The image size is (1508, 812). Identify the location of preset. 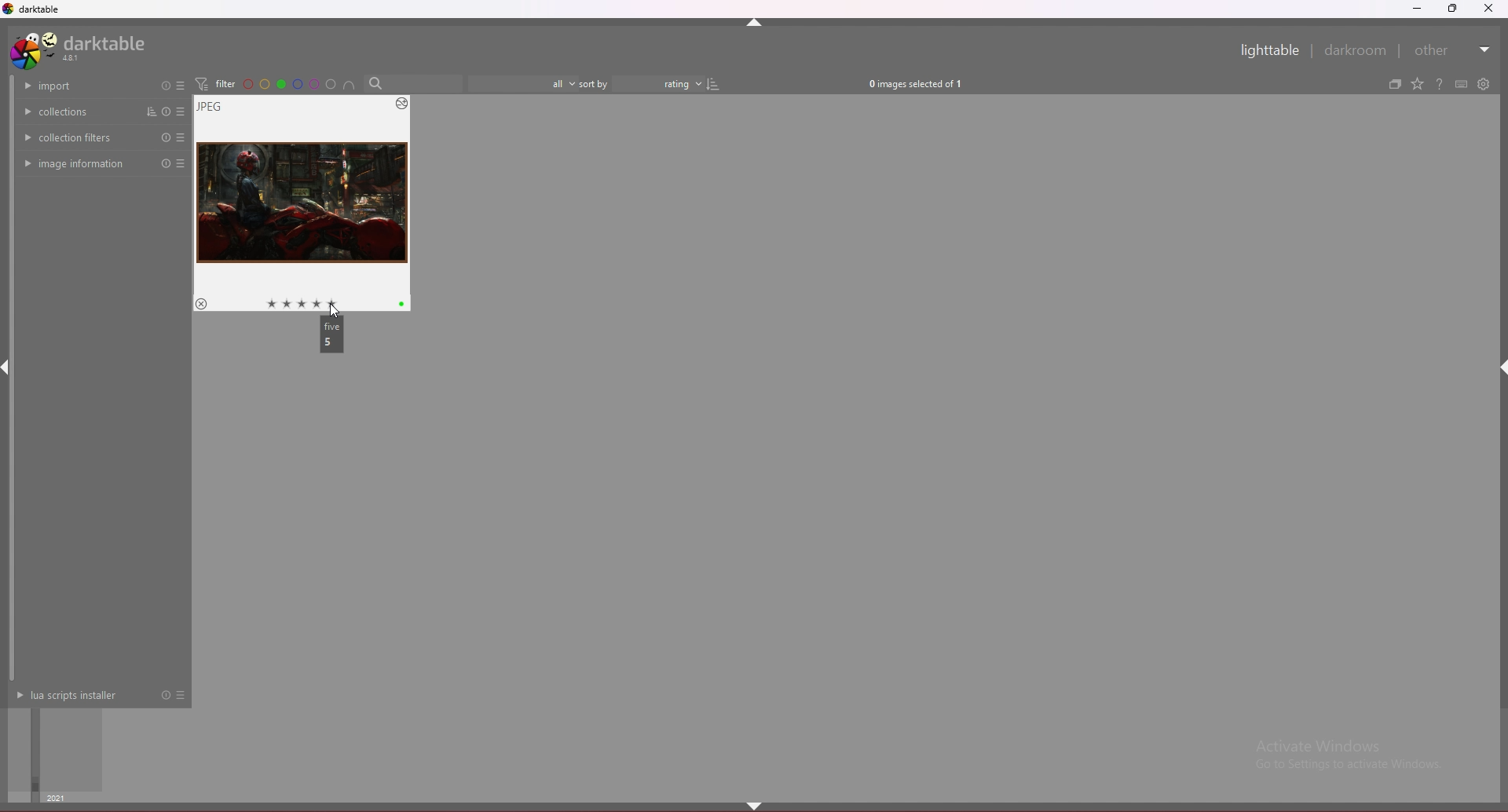
(184, 164).